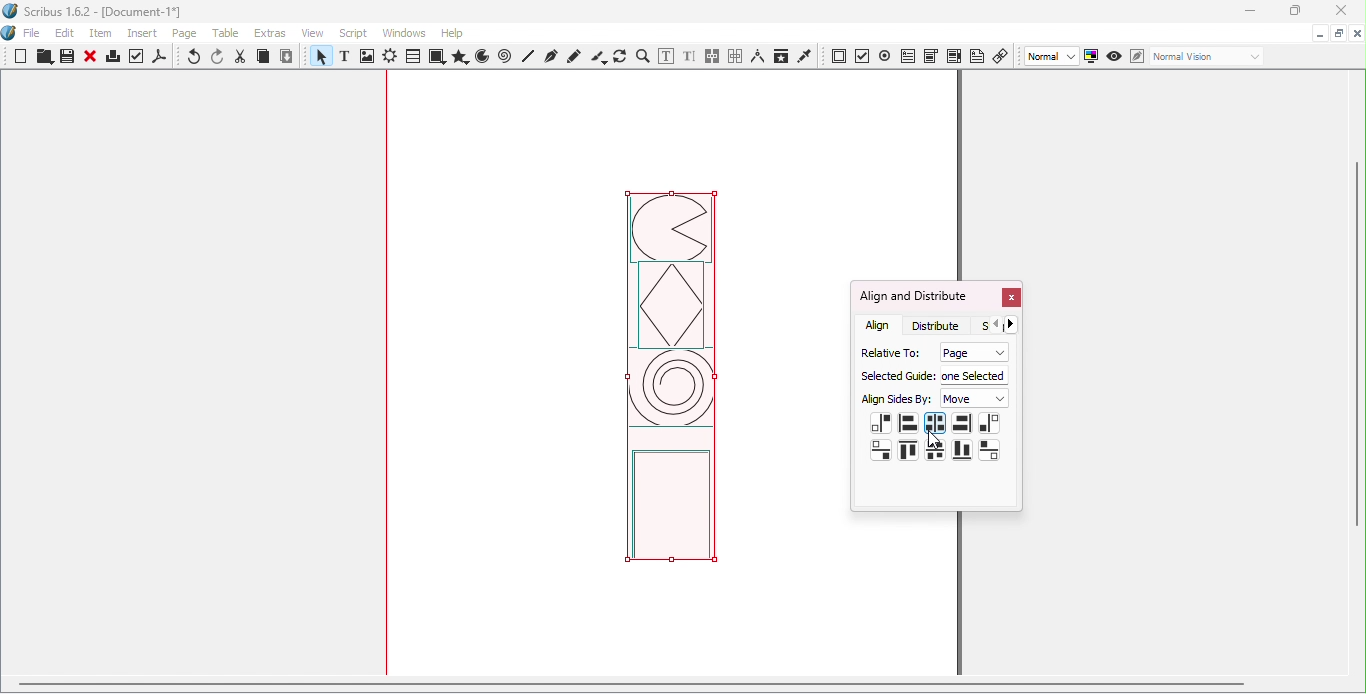  What do you see at coordinates (885, 55) in the screenshot?
I see `PDF radio button` at bounding box center [885, 55].